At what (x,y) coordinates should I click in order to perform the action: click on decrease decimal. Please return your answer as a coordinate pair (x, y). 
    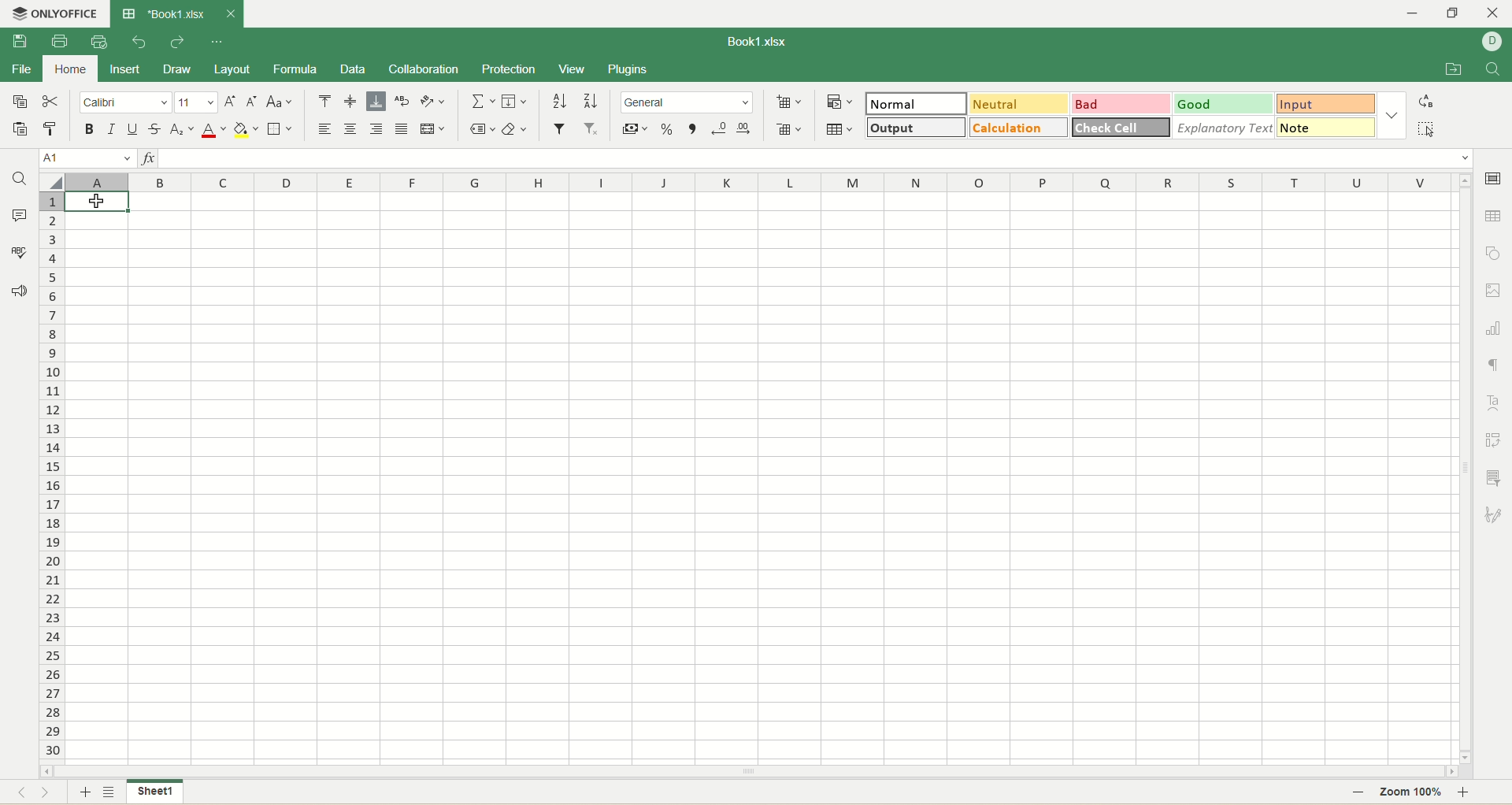
    Looking at the image, I should click on (716, 128).